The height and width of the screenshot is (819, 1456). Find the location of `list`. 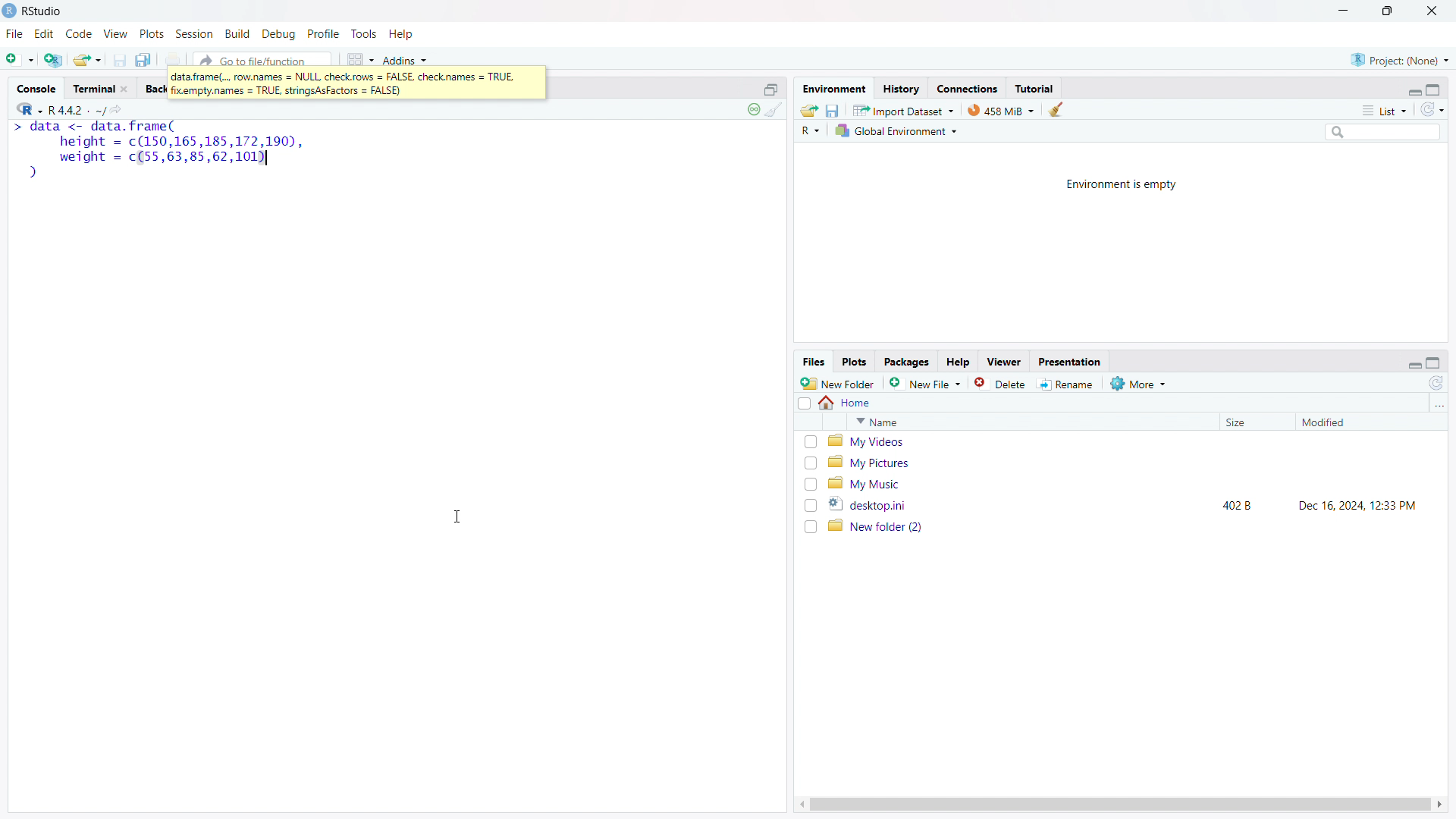

list is located at coordinates (1384, 110).